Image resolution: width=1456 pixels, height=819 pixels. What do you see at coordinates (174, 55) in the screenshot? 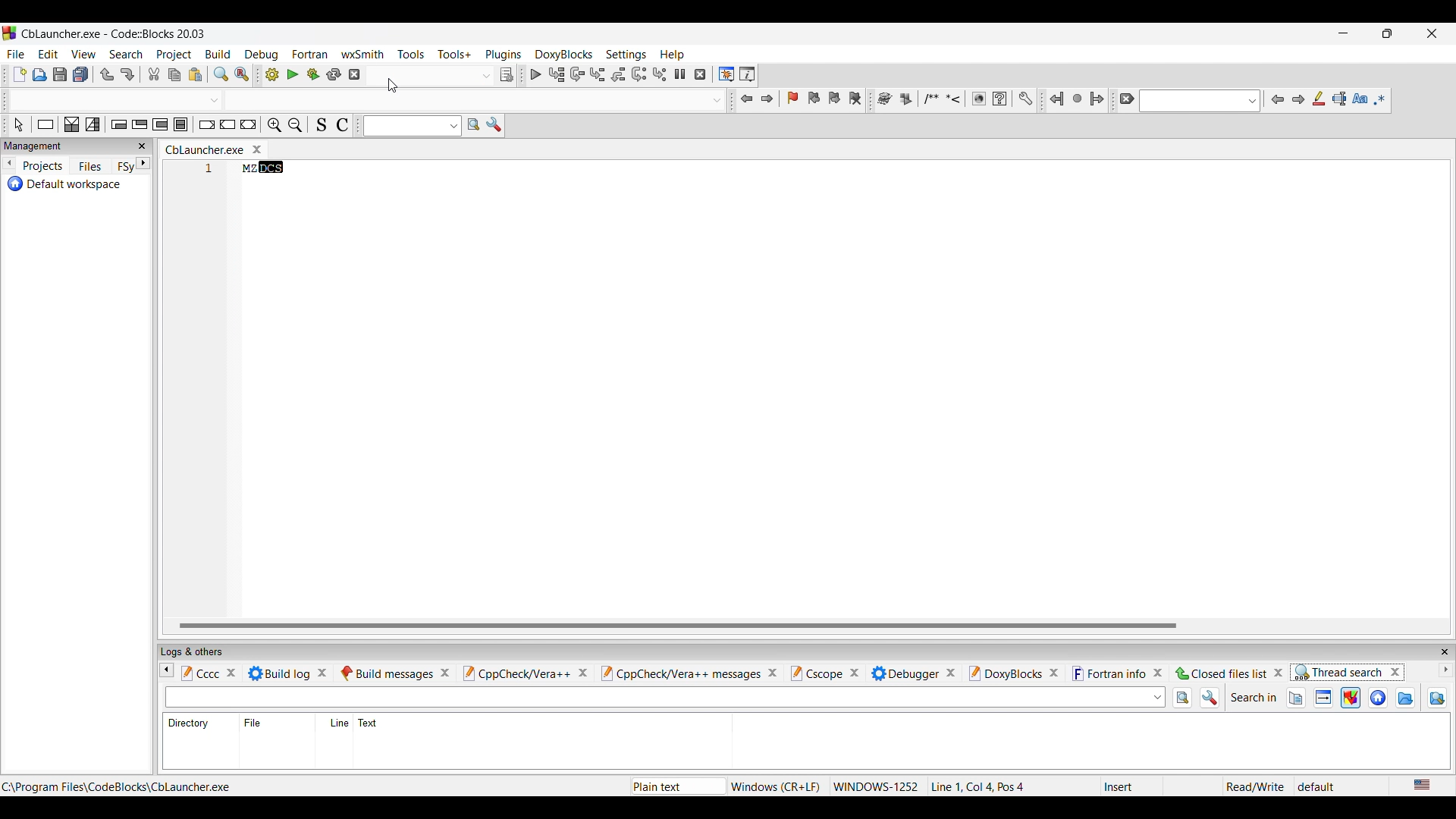
I see `Project menu` at bounding box center [174, 55].